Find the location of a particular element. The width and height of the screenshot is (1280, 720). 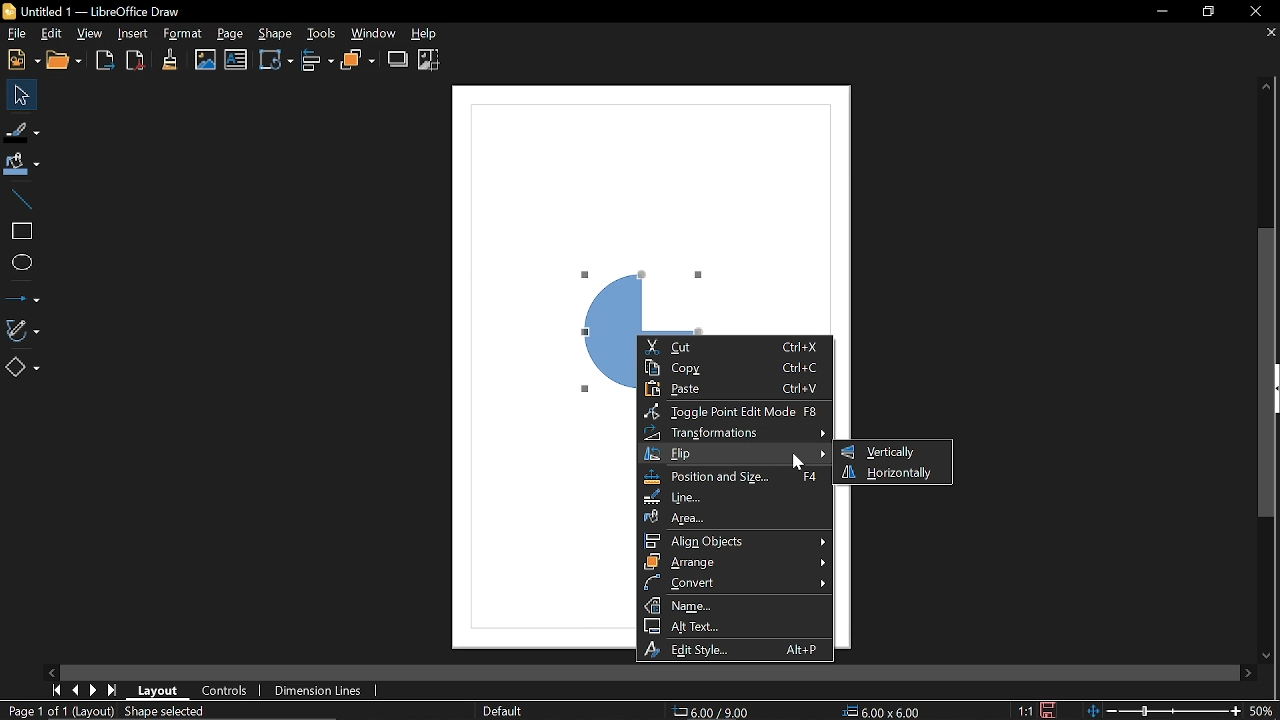

Arrange is located at coordinates (358, 60).